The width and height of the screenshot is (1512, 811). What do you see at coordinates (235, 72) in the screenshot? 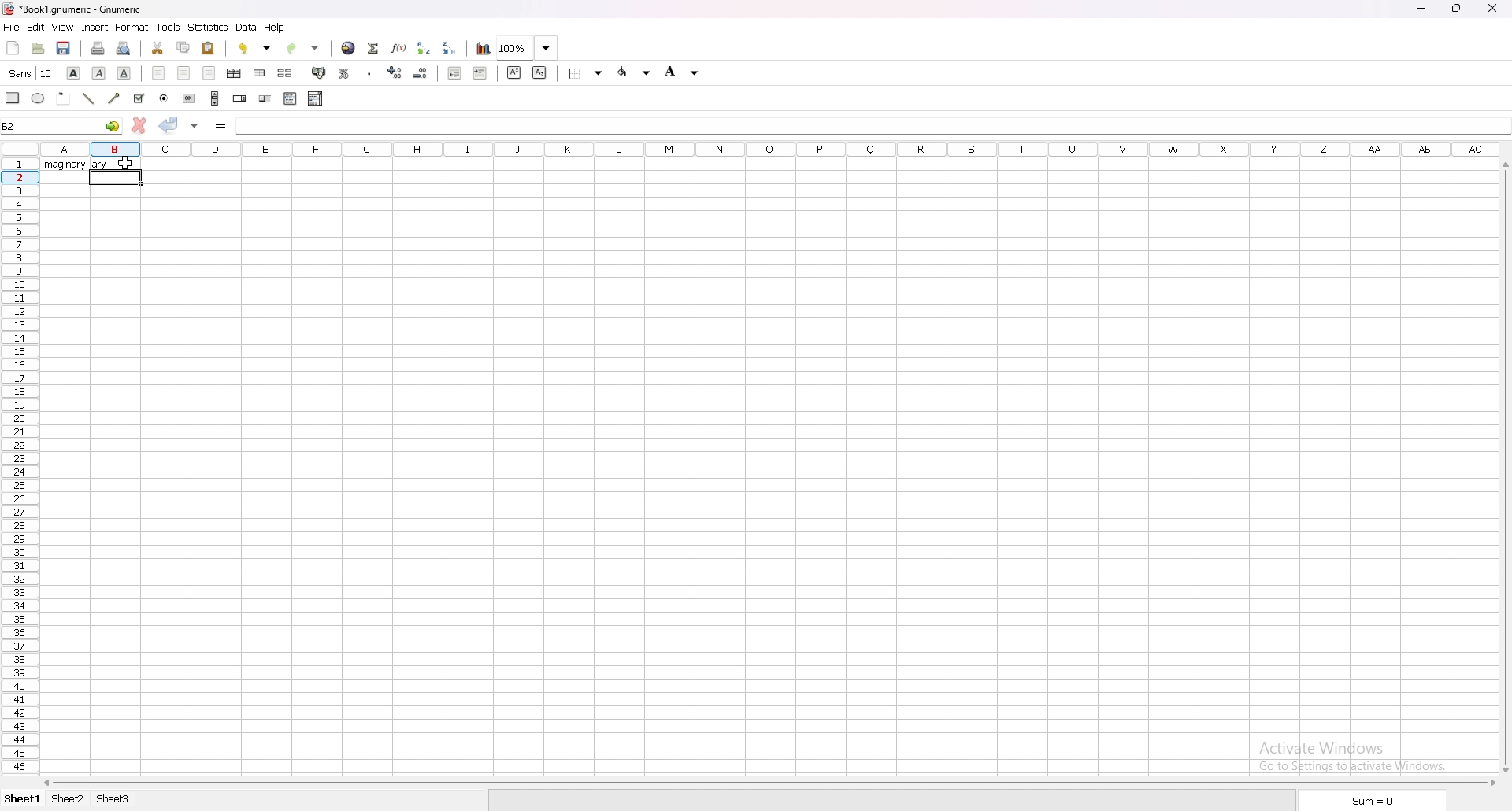
I see `centre horizontally` at bounding box center [235, 72].